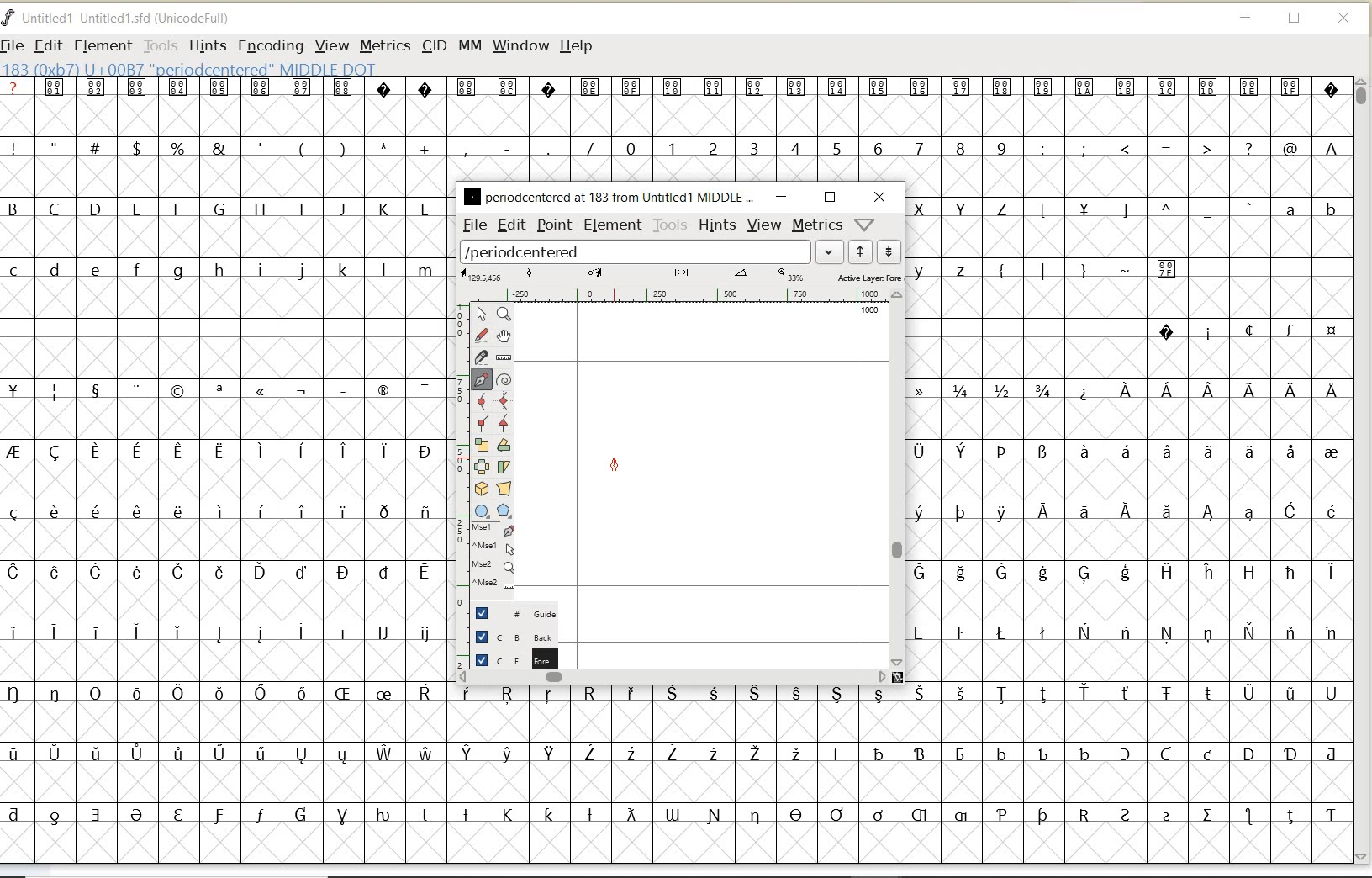  I want to click on minimize, so click(781, 197).